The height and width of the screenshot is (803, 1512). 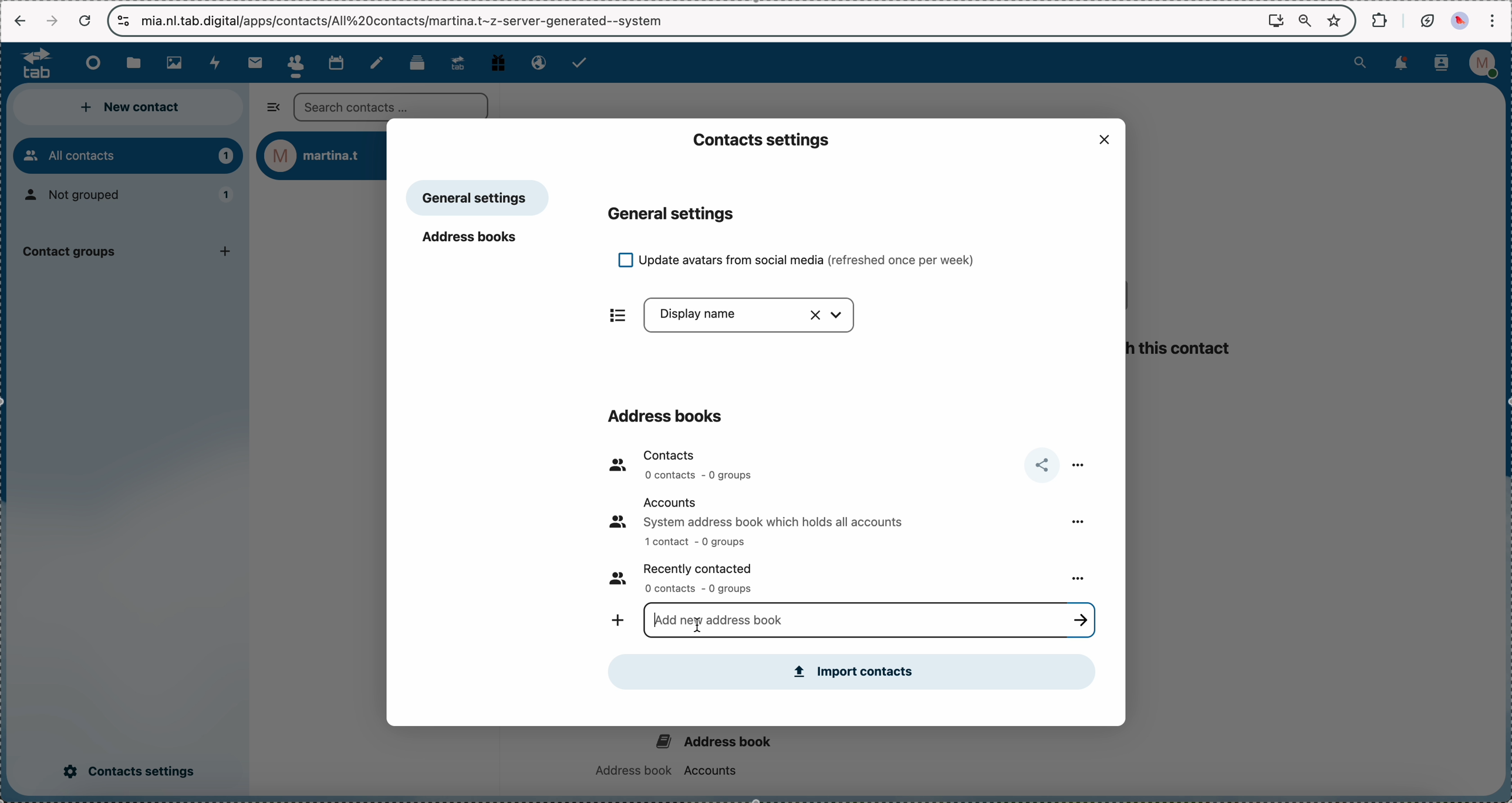 I want to click on upgrade, so click(x=457, y=62).